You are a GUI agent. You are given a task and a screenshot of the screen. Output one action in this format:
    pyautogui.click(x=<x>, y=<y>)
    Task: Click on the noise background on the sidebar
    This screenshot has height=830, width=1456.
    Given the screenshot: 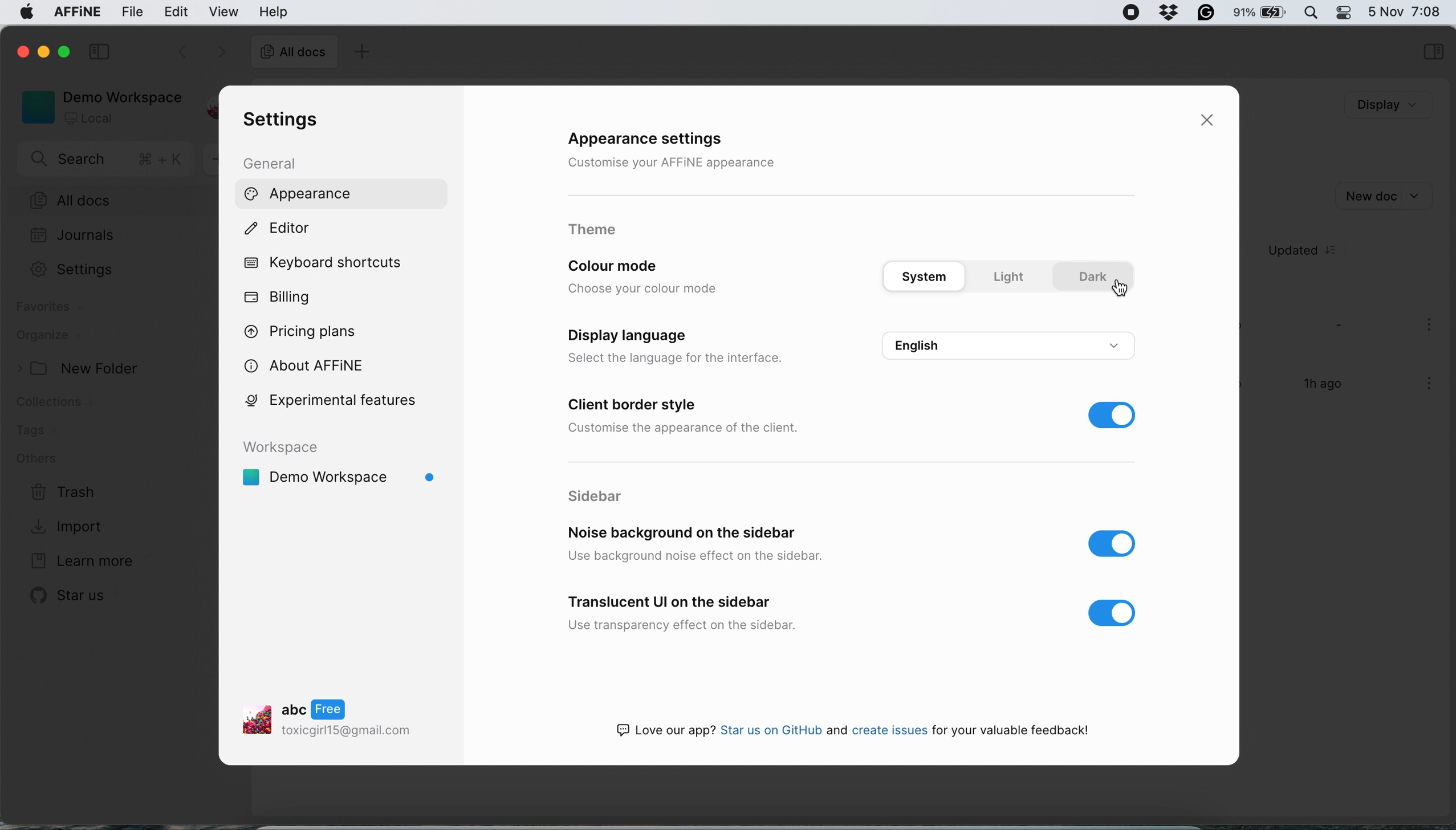 What is the action you would take?
    pyautogui.click(x=679, y=532)
    